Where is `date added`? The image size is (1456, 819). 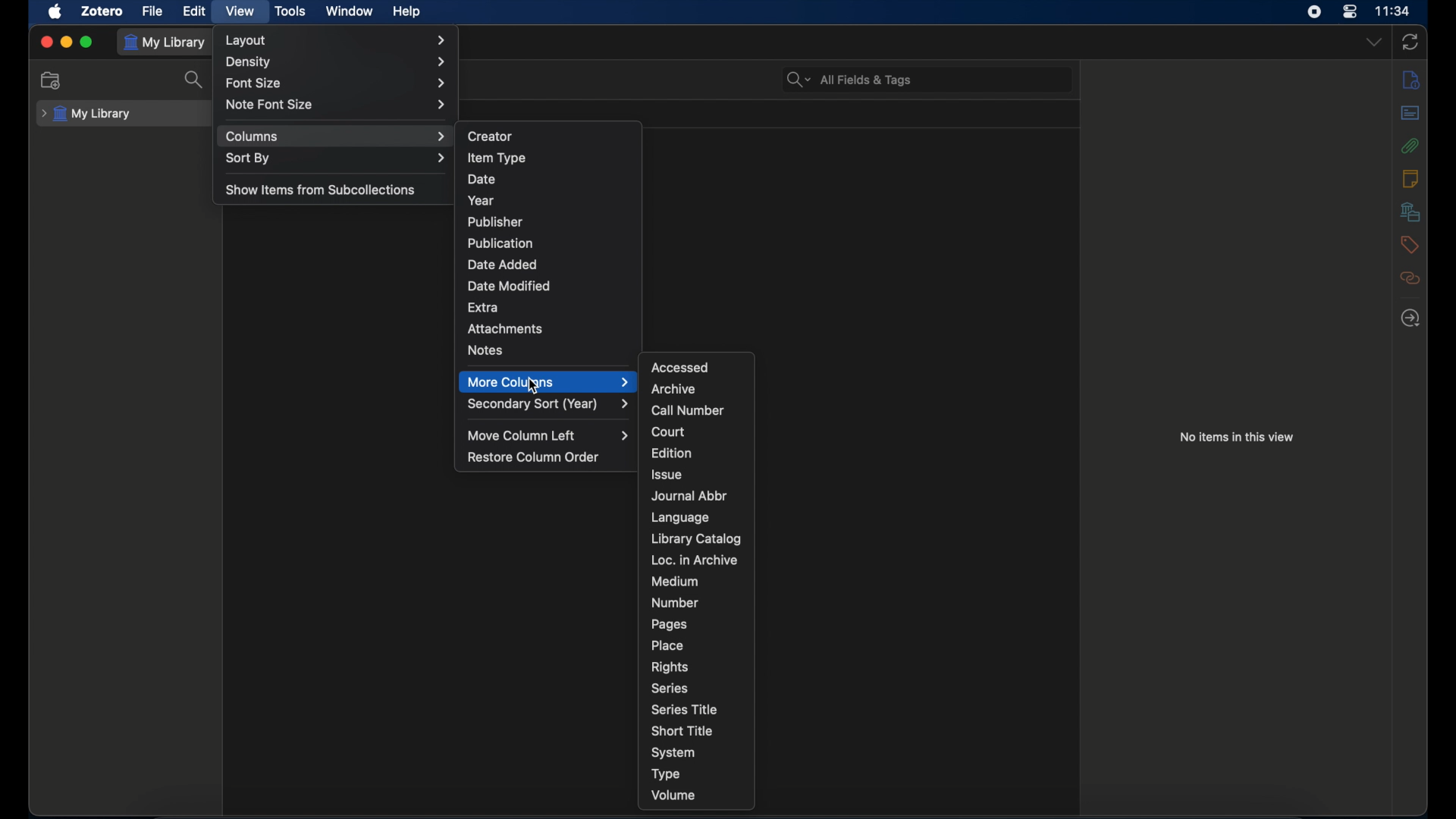 date added is located at coordinates (504, 265).